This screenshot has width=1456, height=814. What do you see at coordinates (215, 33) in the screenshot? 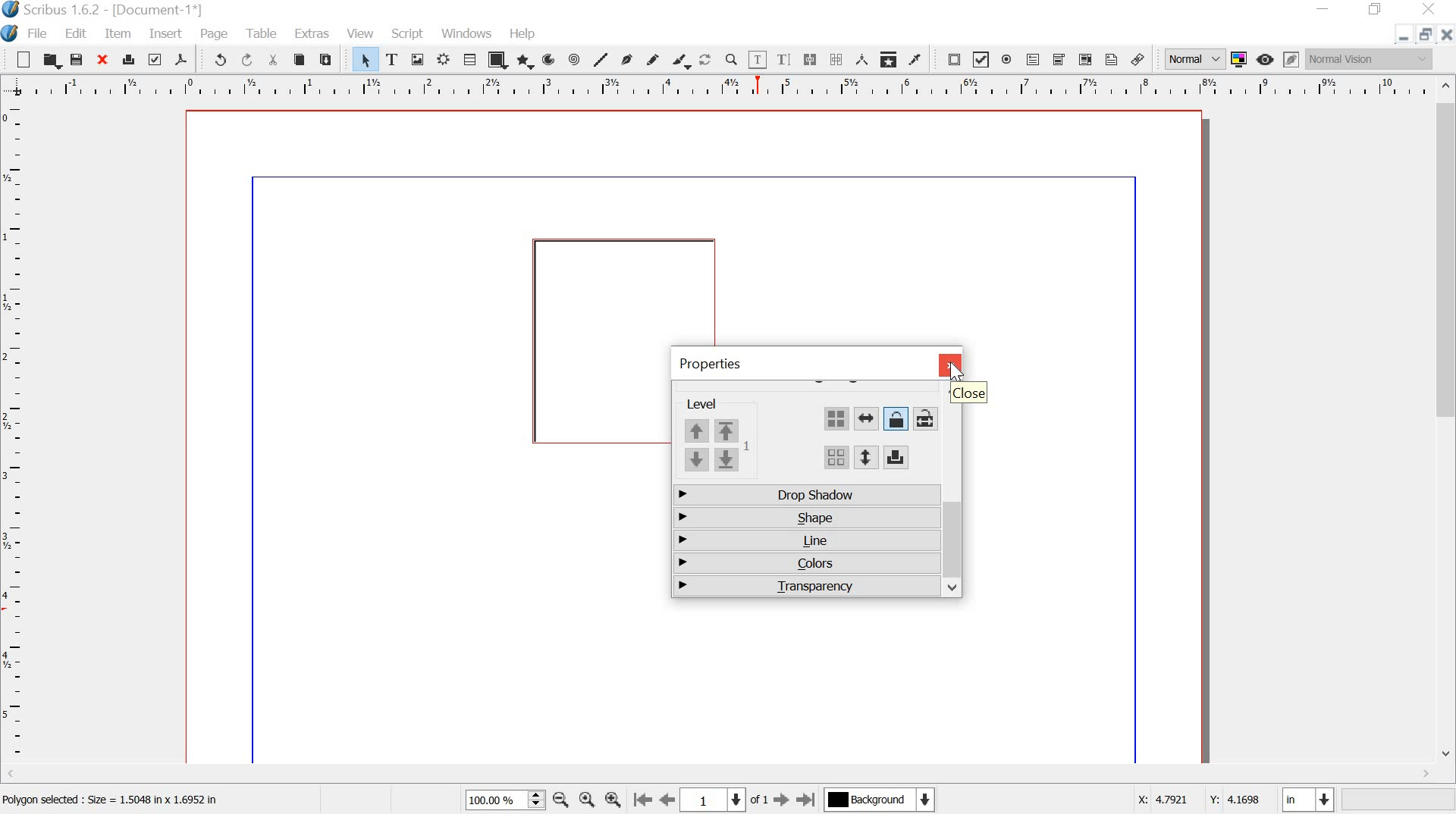
I see `page` at bounding box center [215, 33].